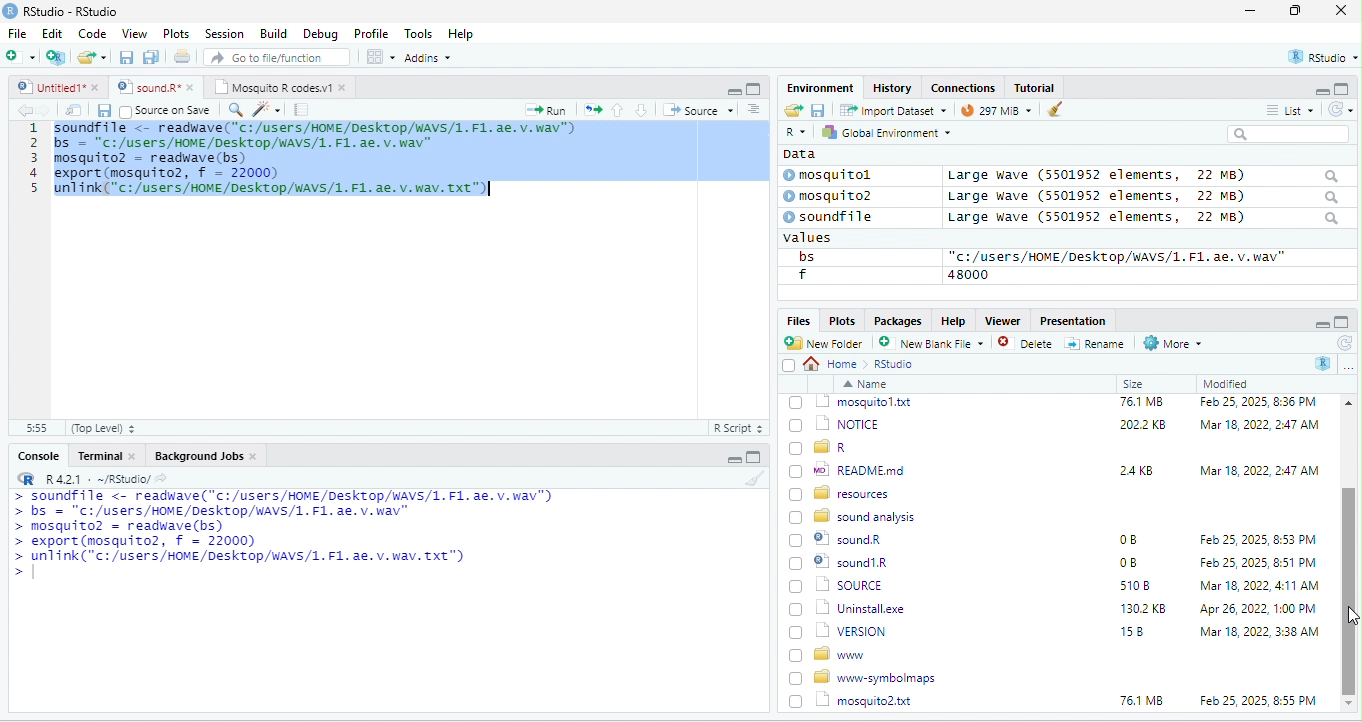 Image resolution: width=1362 pixels, height=722 pixels. I want to click on  Name, so click(869, 386).